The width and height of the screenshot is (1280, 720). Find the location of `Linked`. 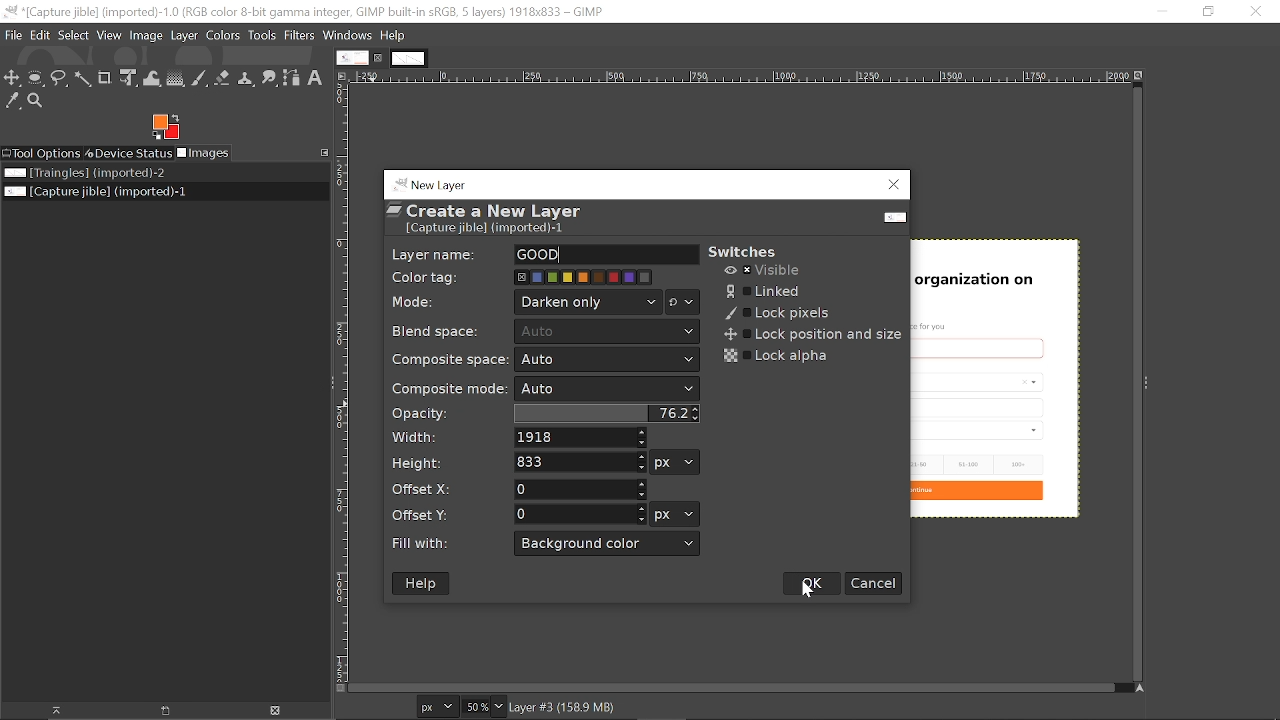

Linked is located at coordinates (770, 291).